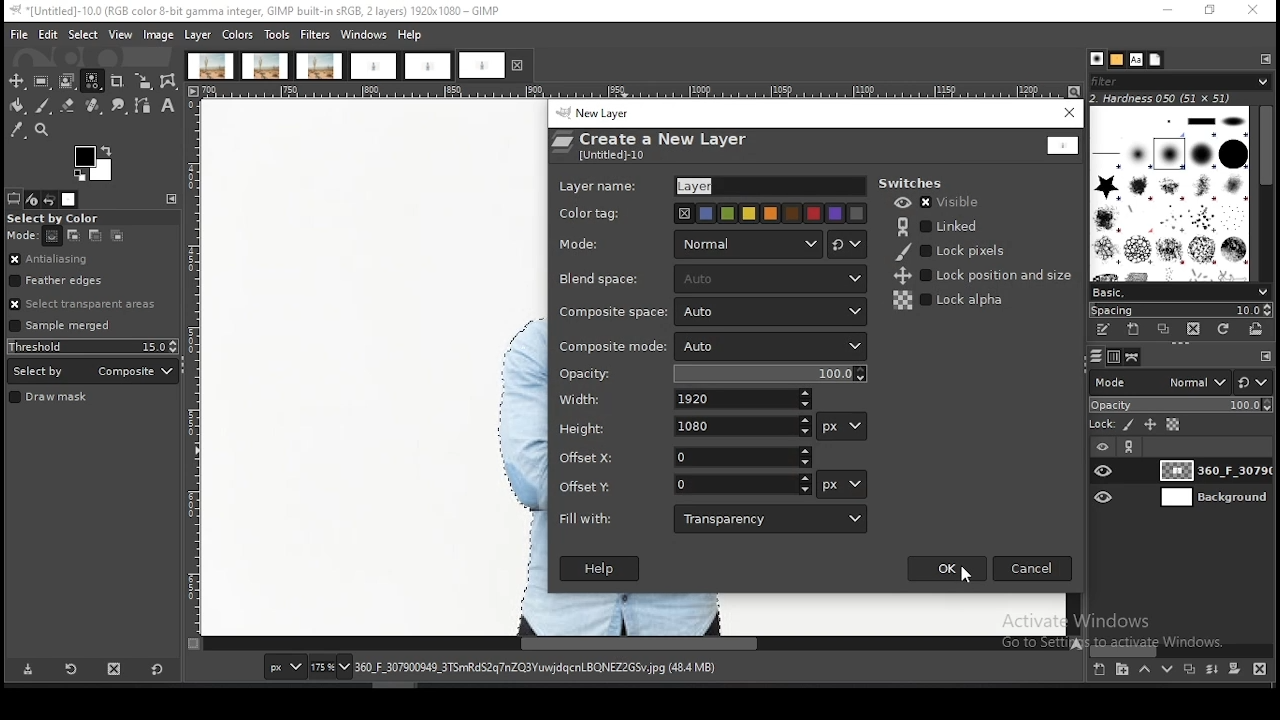  I want to click on height, so click(584, 429).